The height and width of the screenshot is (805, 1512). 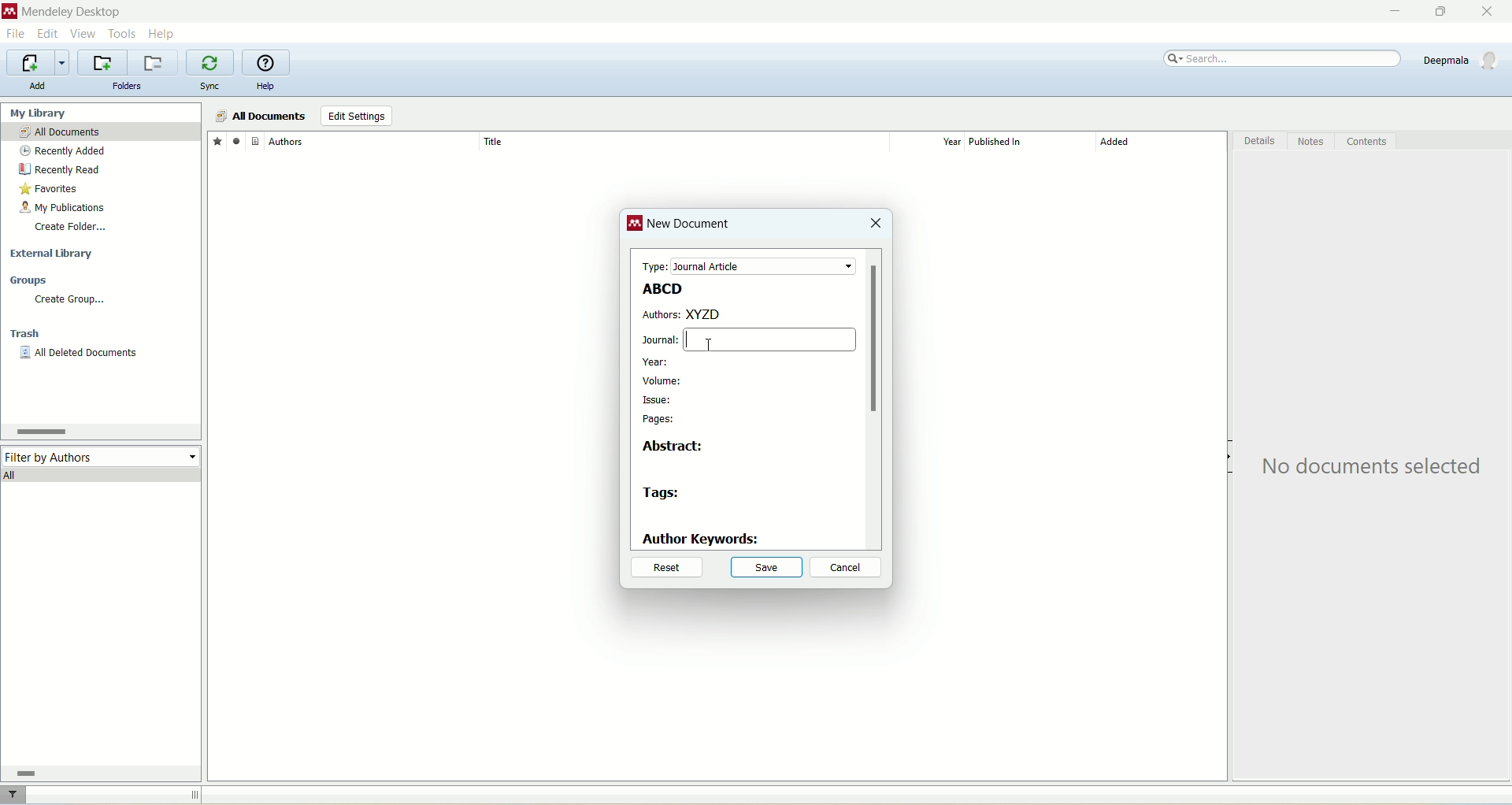 I want to click on published in, so click(x=1024, y=142).